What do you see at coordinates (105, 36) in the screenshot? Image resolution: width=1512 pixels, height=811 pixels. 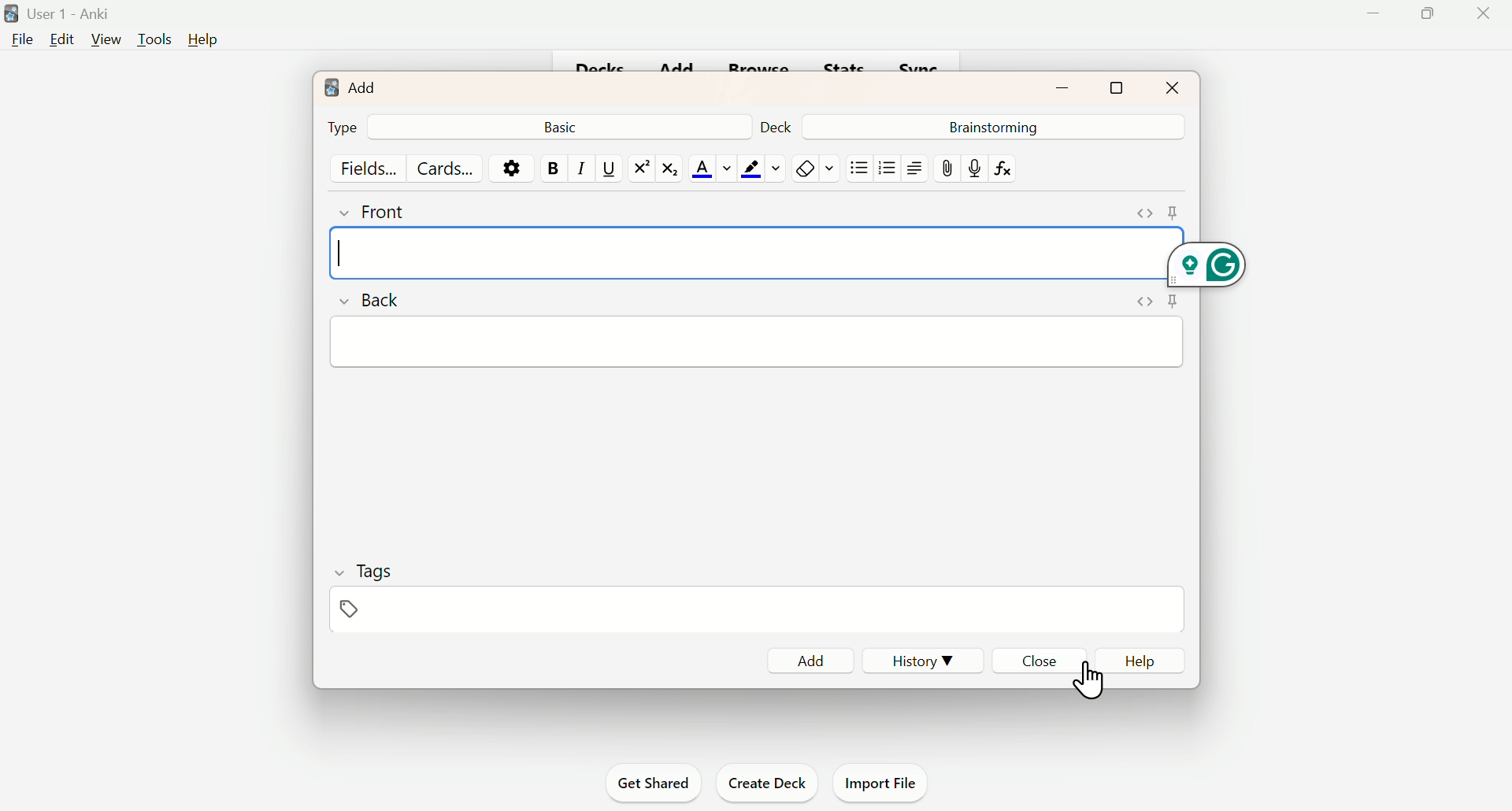 I see `` at bounding box center [105, 36].